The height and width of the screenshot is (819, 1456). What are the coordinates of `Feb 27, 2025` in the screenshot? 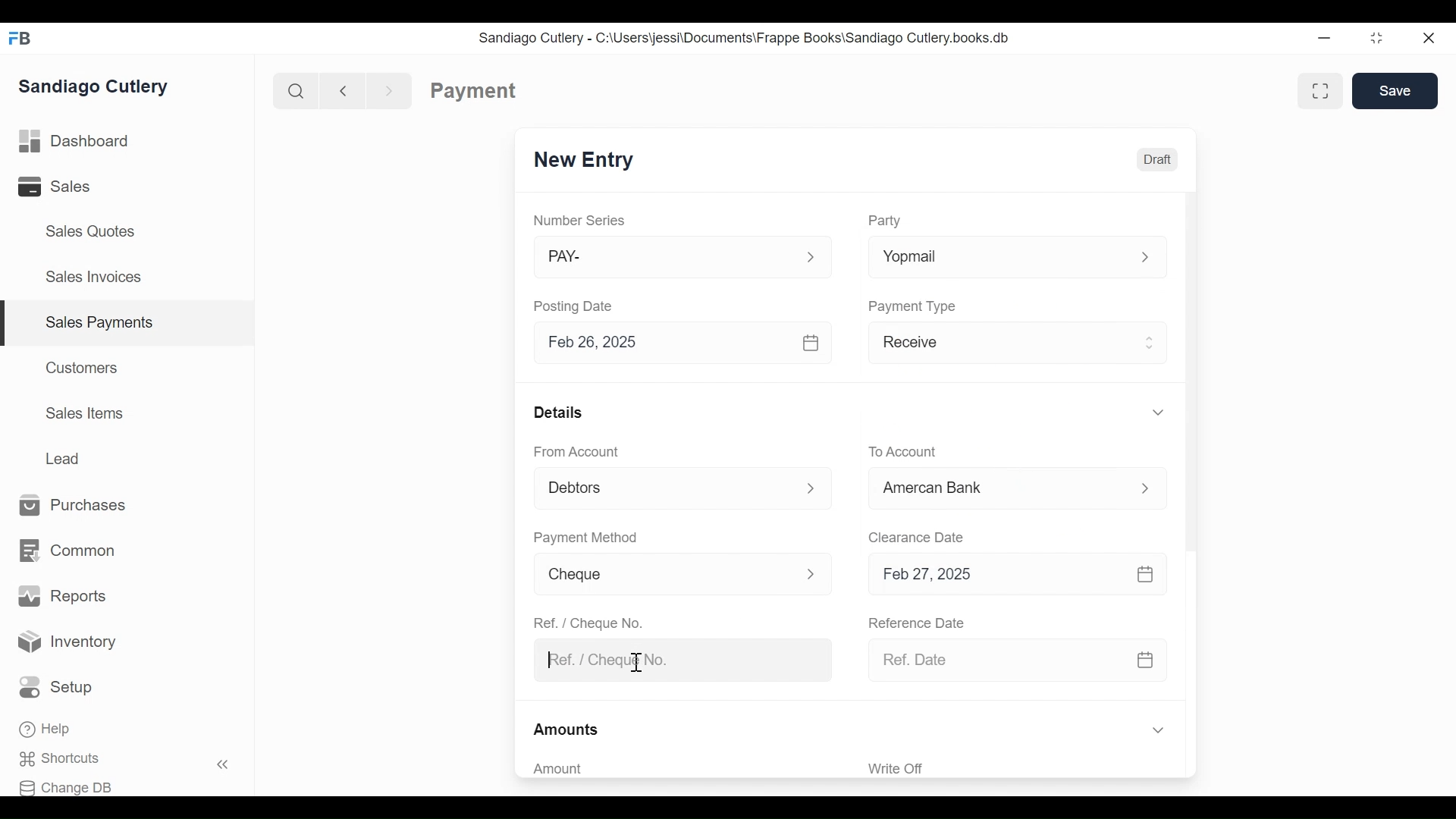 It's located at (995, 574).